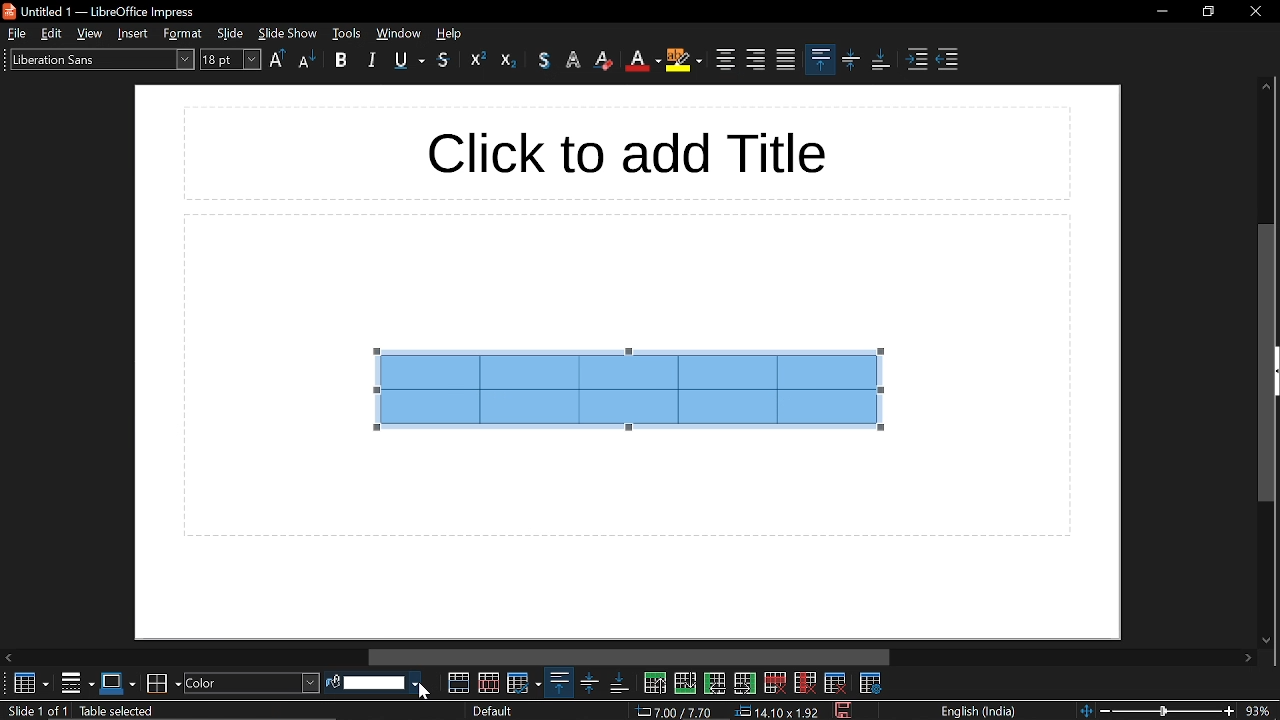 Image resolution: width=1280 pixels, height=720 pixels. Describe the element at coordinates (754, 59) in the screenshot. I see `align right` at that location.